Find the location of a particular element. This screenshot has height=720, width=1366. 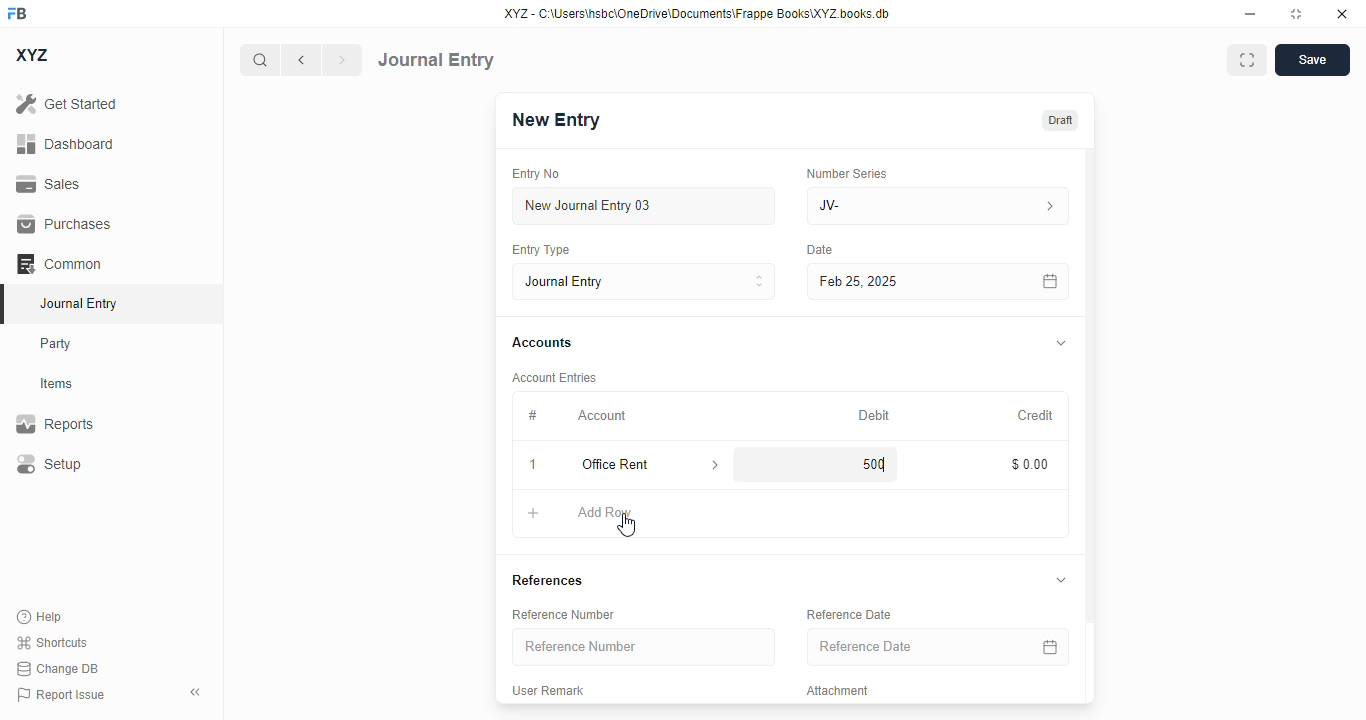

account entries is located at coordinates (554, 377).